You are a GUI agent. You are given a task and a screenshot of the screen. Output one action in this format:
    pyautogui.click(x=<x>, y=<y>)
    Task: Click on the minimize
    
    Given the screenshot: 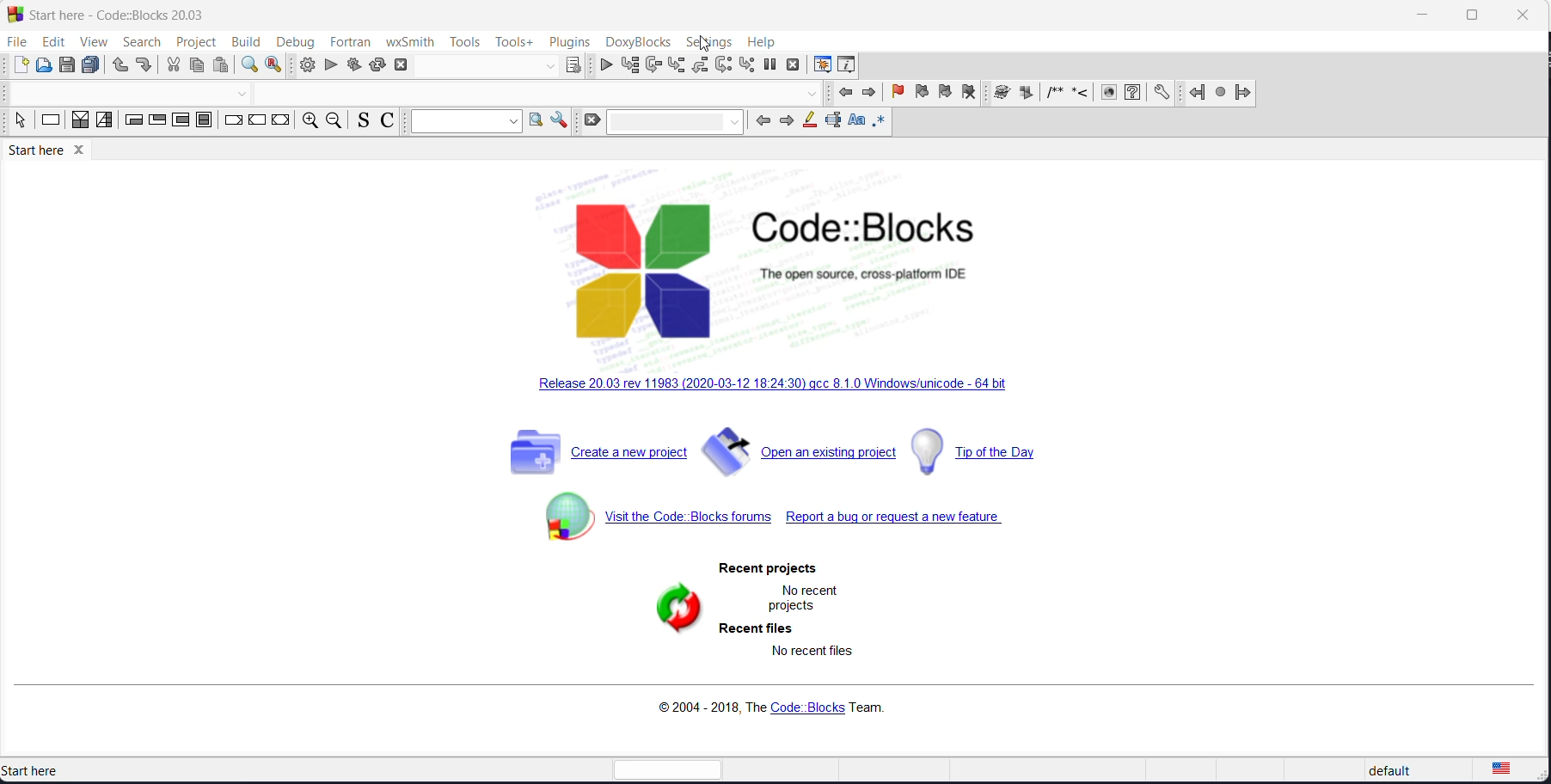 What is the action you would take?
    pyautogui.click(x=1419, y=17)
    